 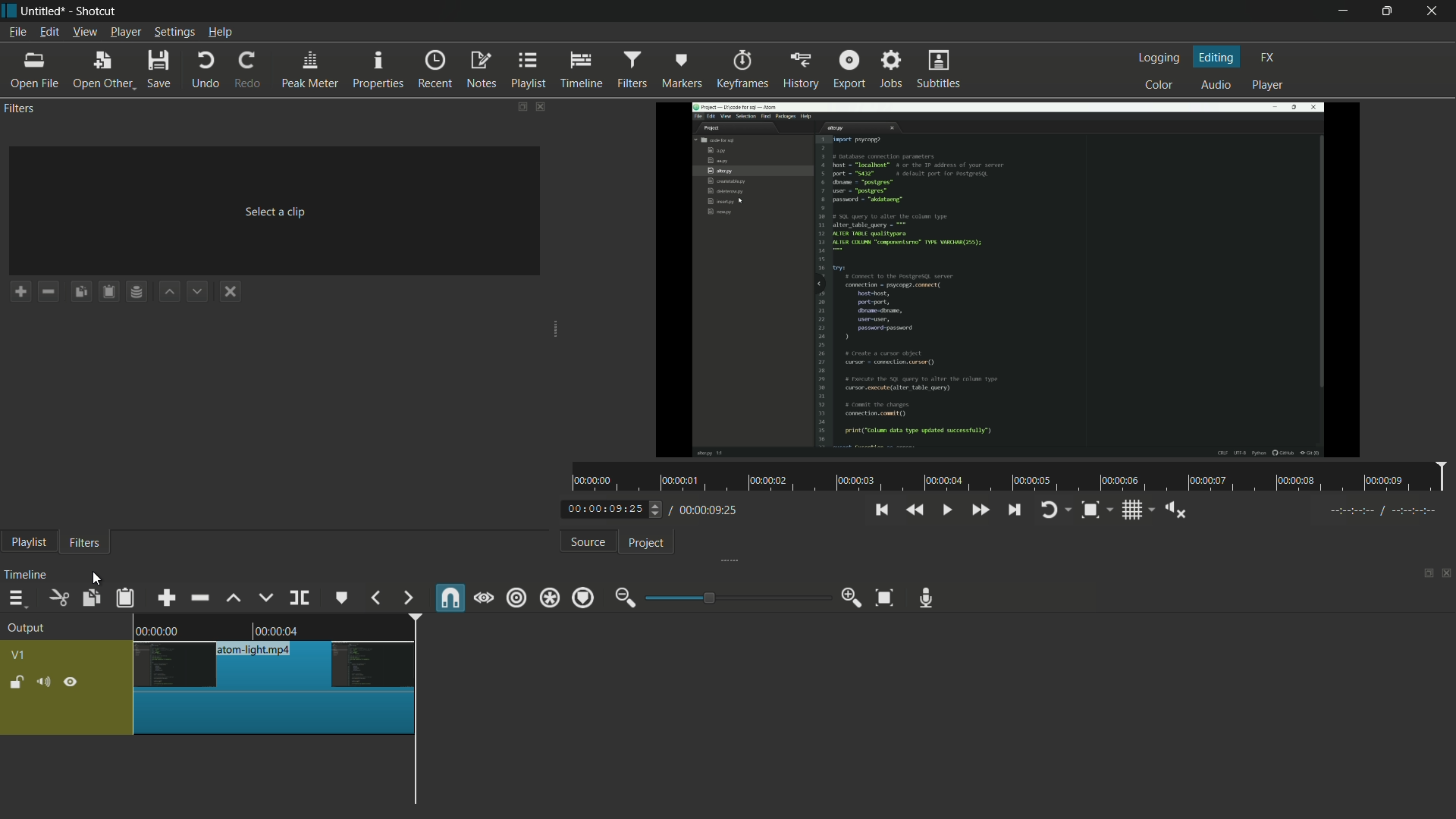 I want to click on filters, so click(x=22, y=109).